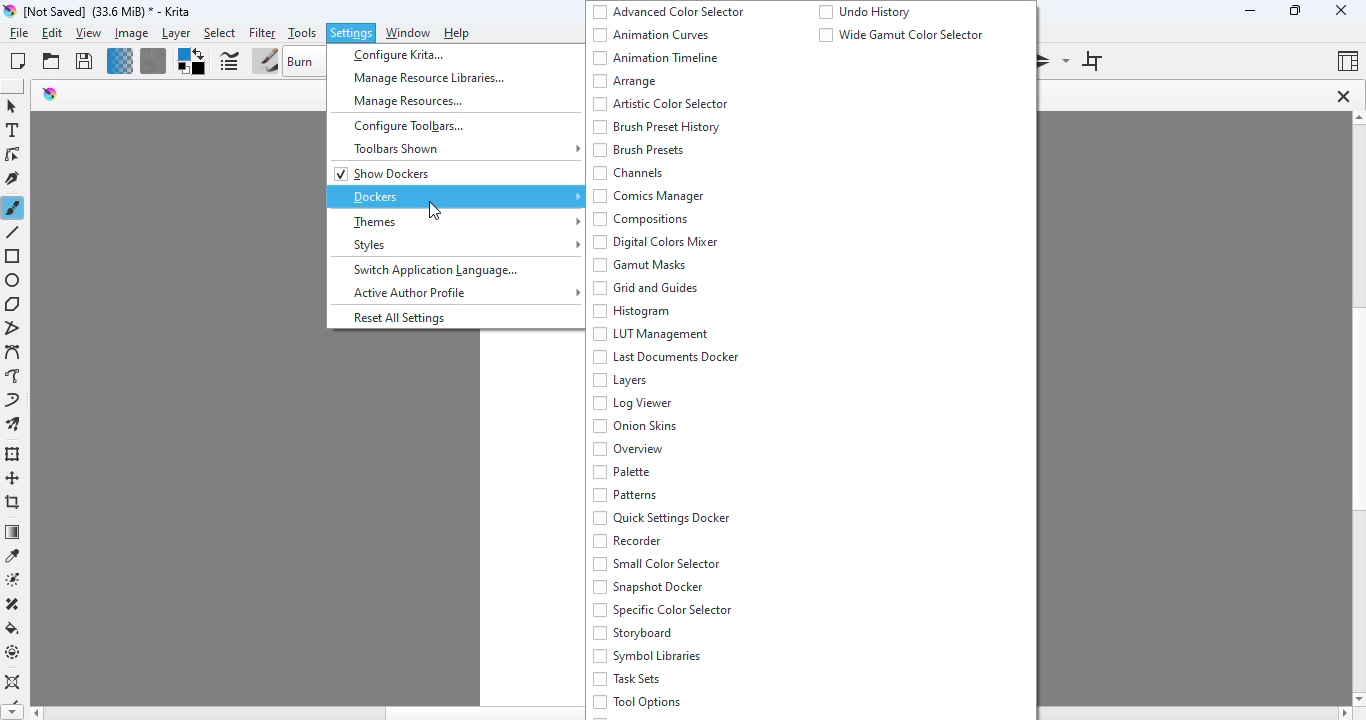  I want to click on select, so click(219, 34).